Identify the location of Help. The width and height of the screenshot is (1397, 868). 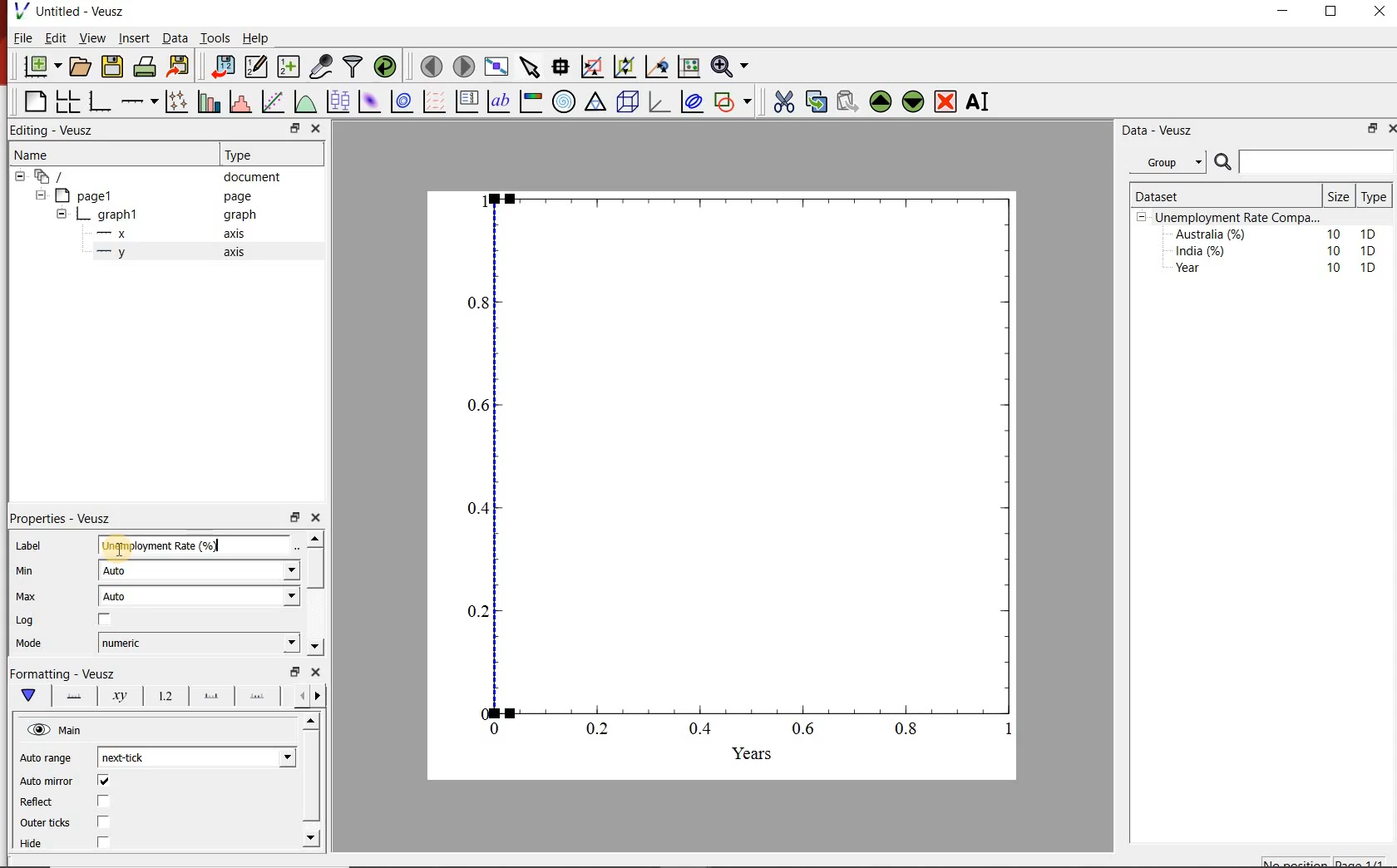
(256, 38).